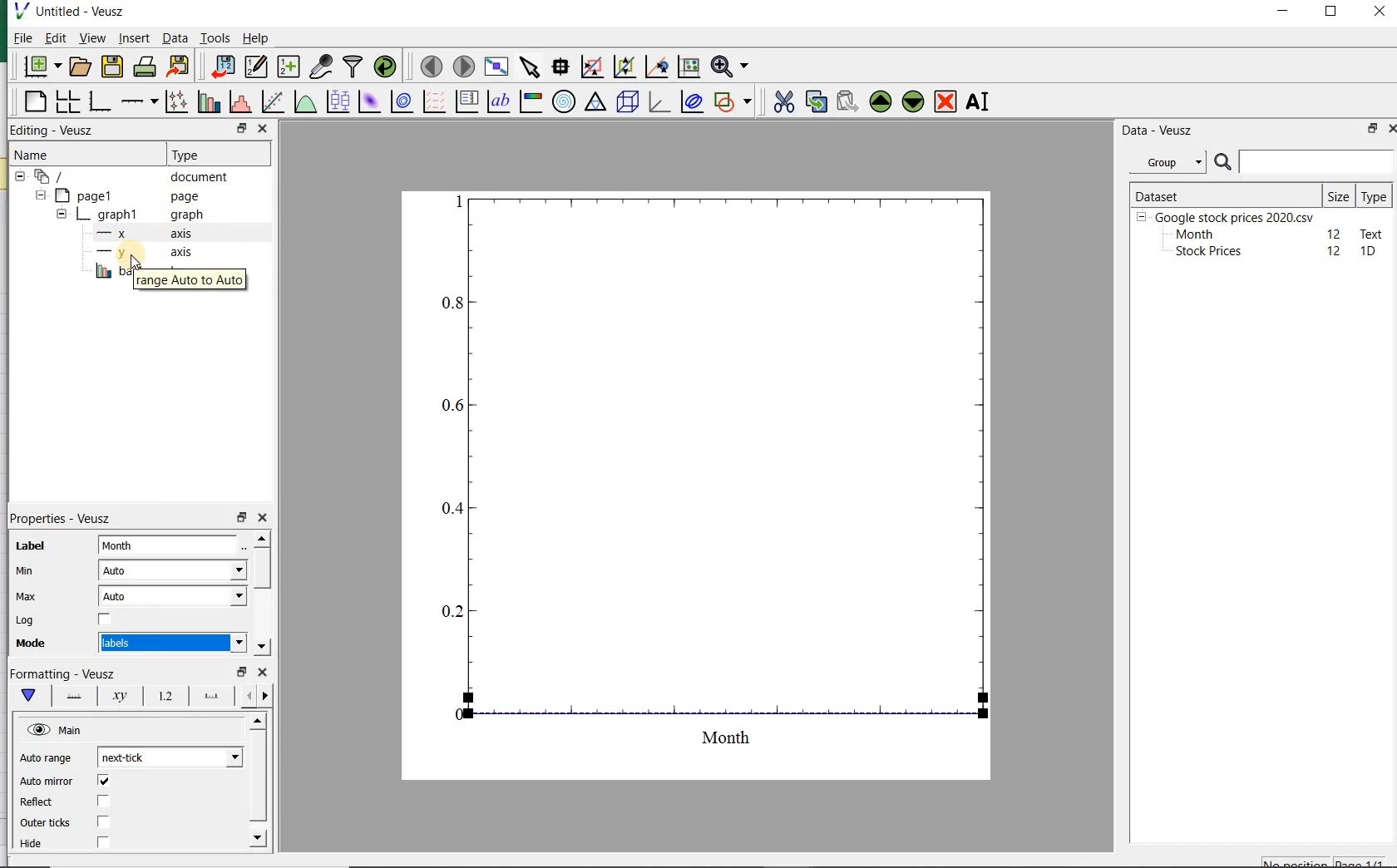 The image size is (1397, 868). Describe the element at coordinates (121, 196) in the screenshot. I see `page1` at that location.